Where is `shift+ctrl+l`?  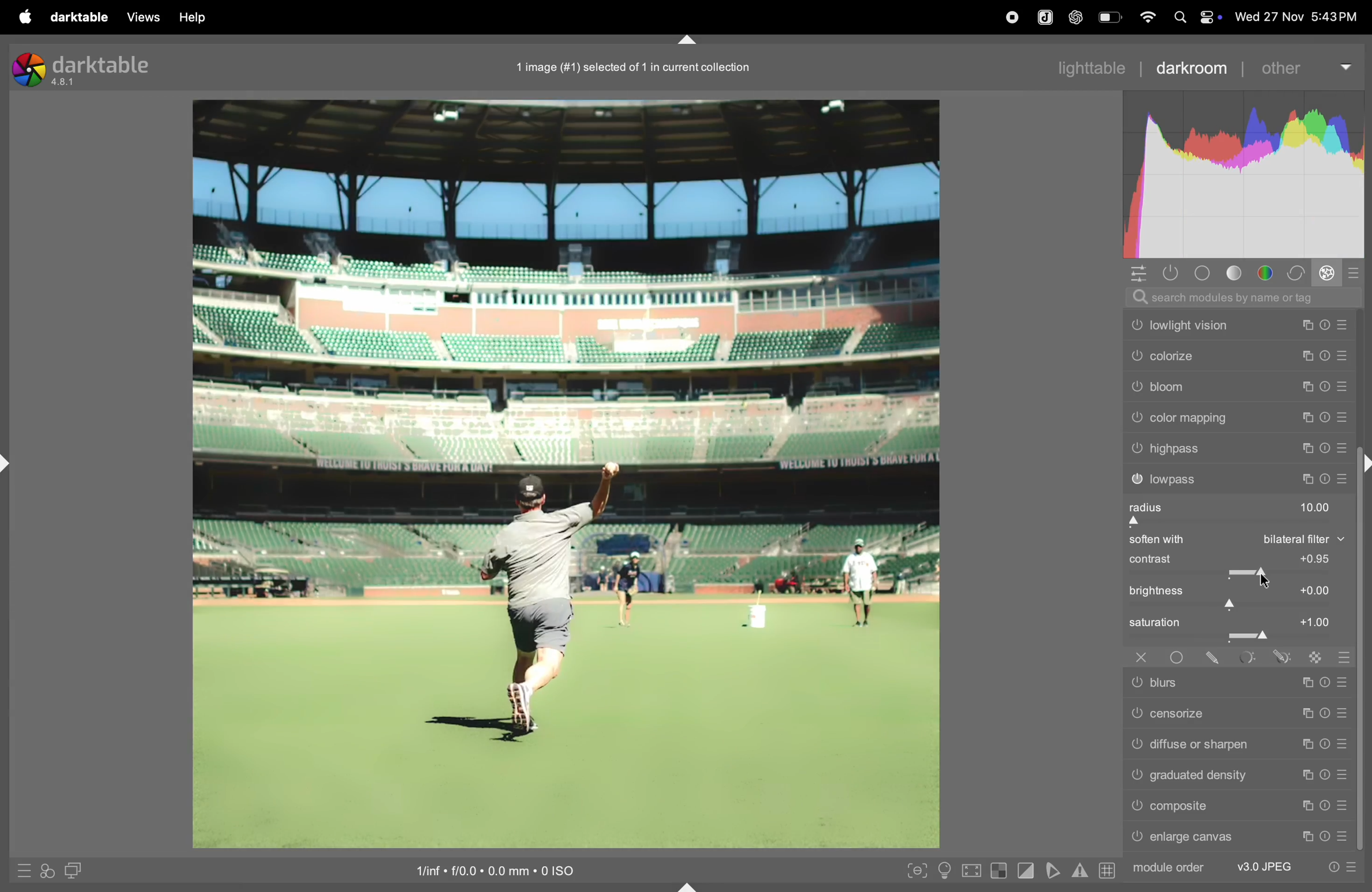 shift+ctrl+l is located at coordinates (9, 466).